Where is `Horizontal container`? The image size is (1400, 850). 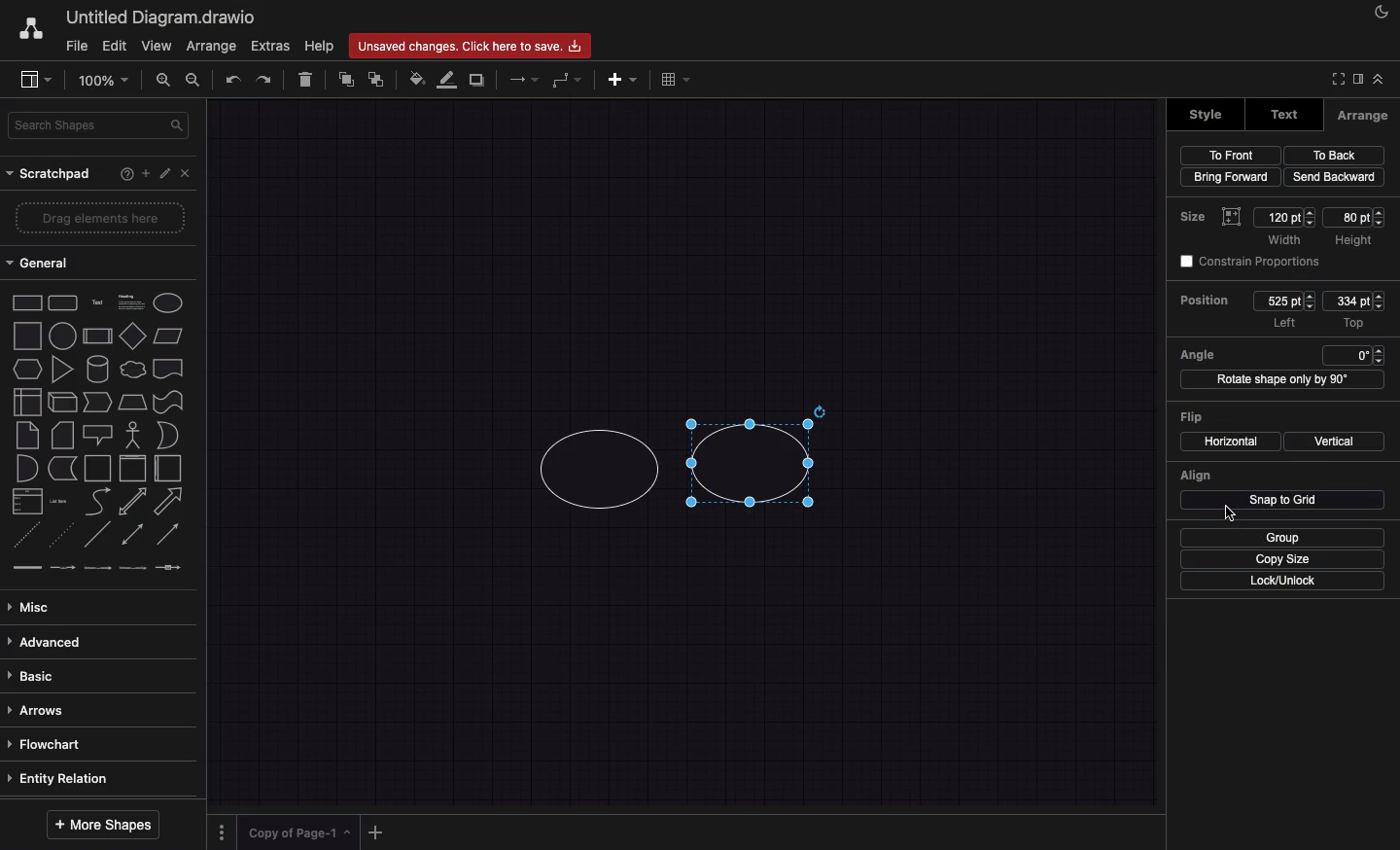 Horizontal container is located at coordinates (170, 469).